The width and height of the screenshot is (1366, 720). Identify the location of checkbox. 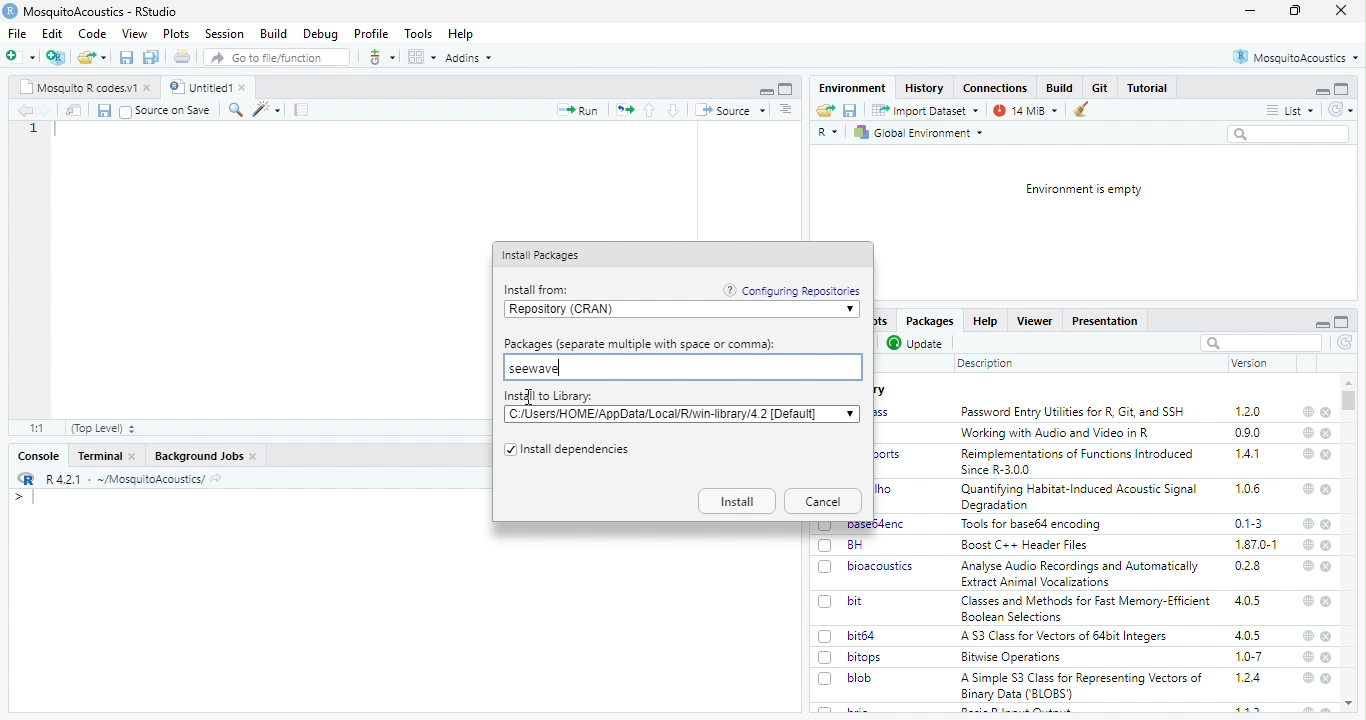
(126, 112).